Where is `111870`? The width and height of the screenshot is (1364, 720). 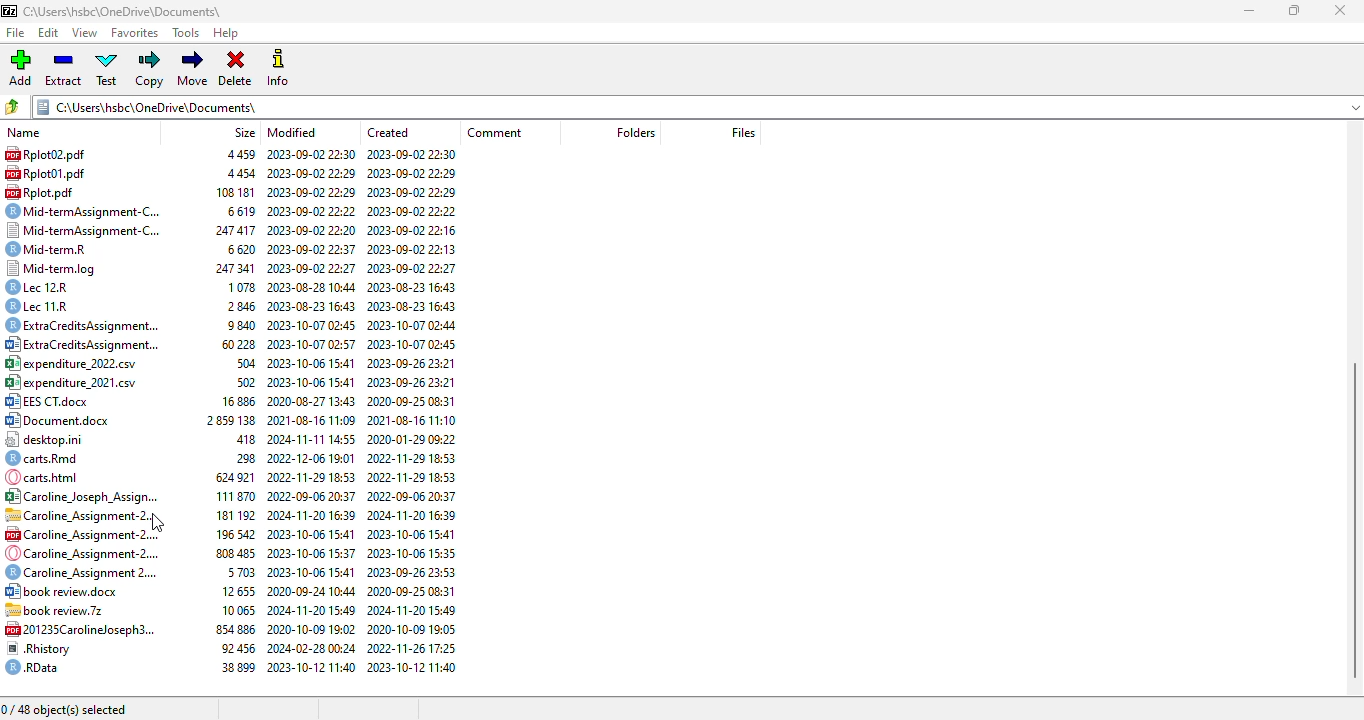 111870 is located at coordinates (237, 497).